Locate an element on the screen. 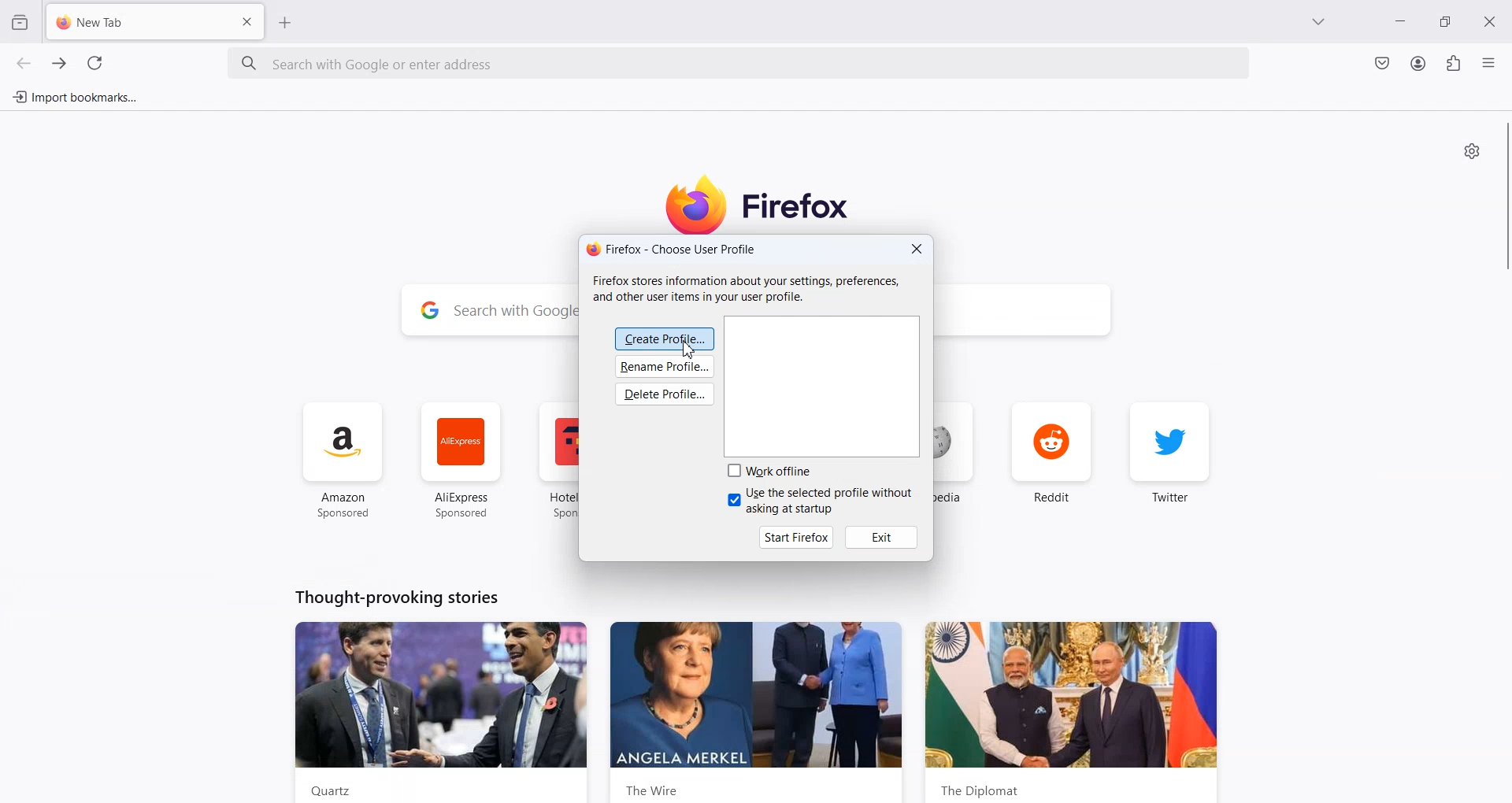  Delete Profile is located at coordinates (666, 395).